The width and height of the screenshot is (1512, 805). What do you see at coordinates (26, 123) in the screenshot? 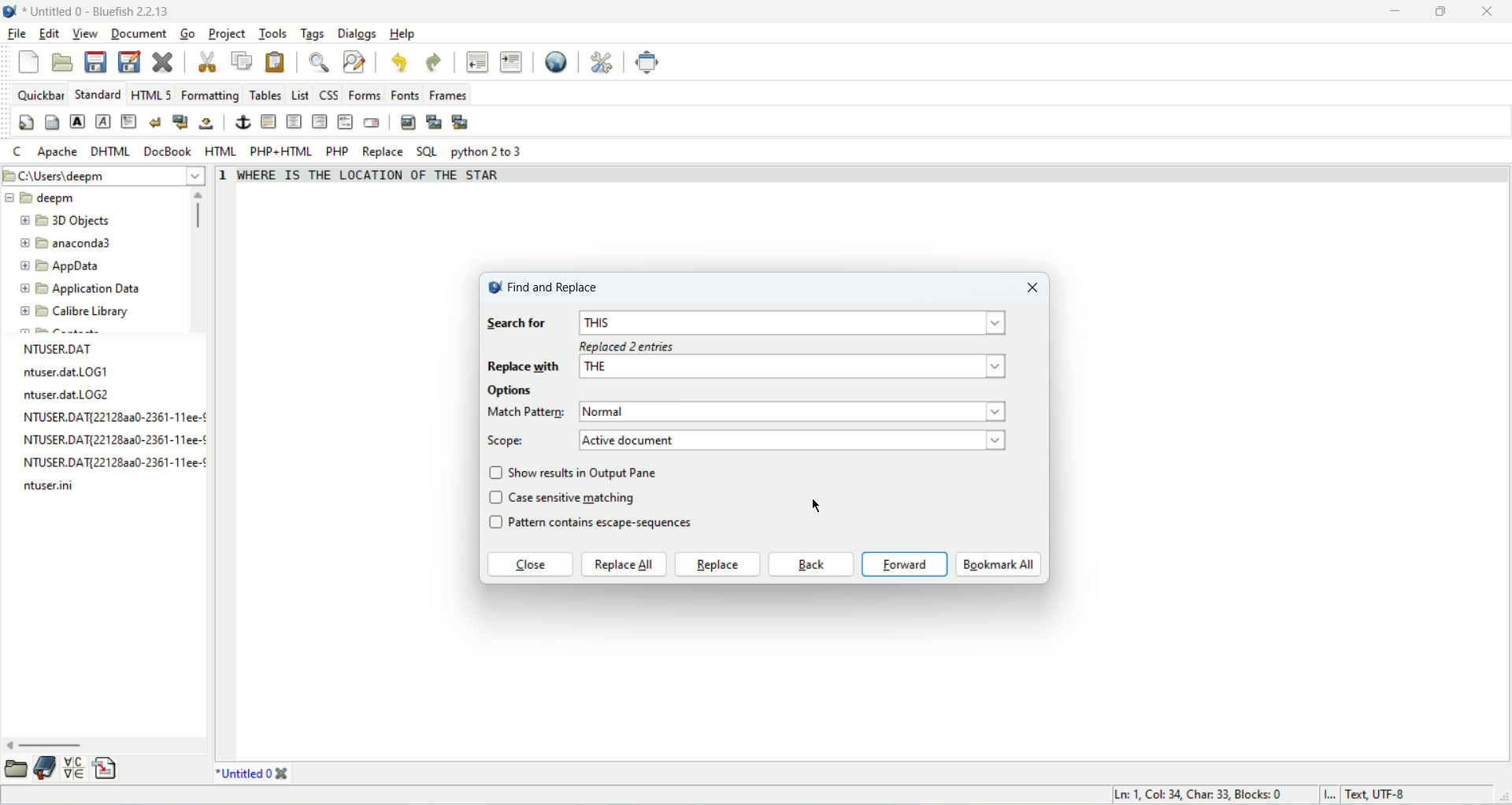
I see `quick settings` at bounding box center [26, 123].